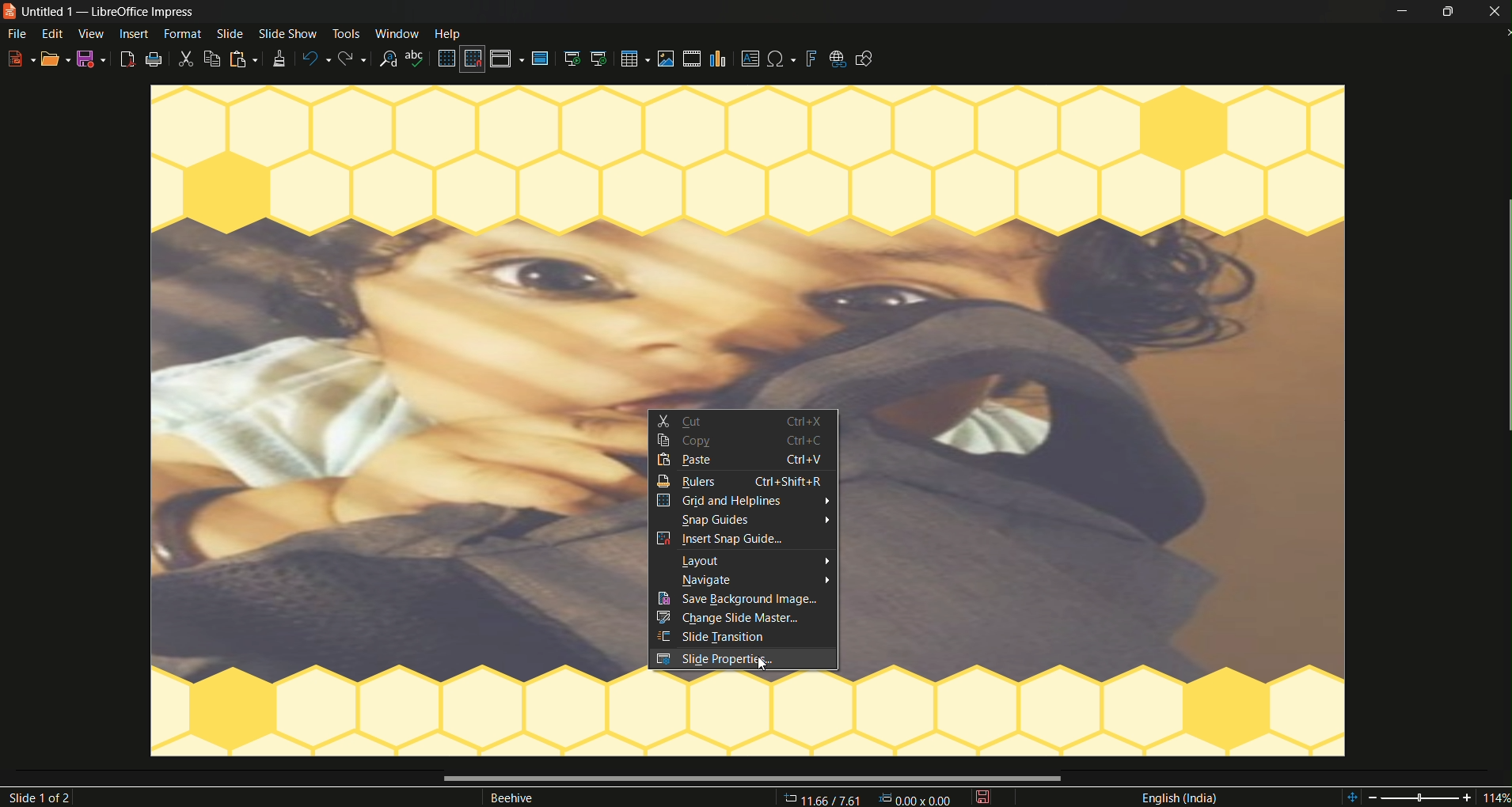 This screenshot has width=1512, height=807. What do you see at coordinates (763, 661) in the screenshot?
I see `cursor` at bounding box center [763, 661].